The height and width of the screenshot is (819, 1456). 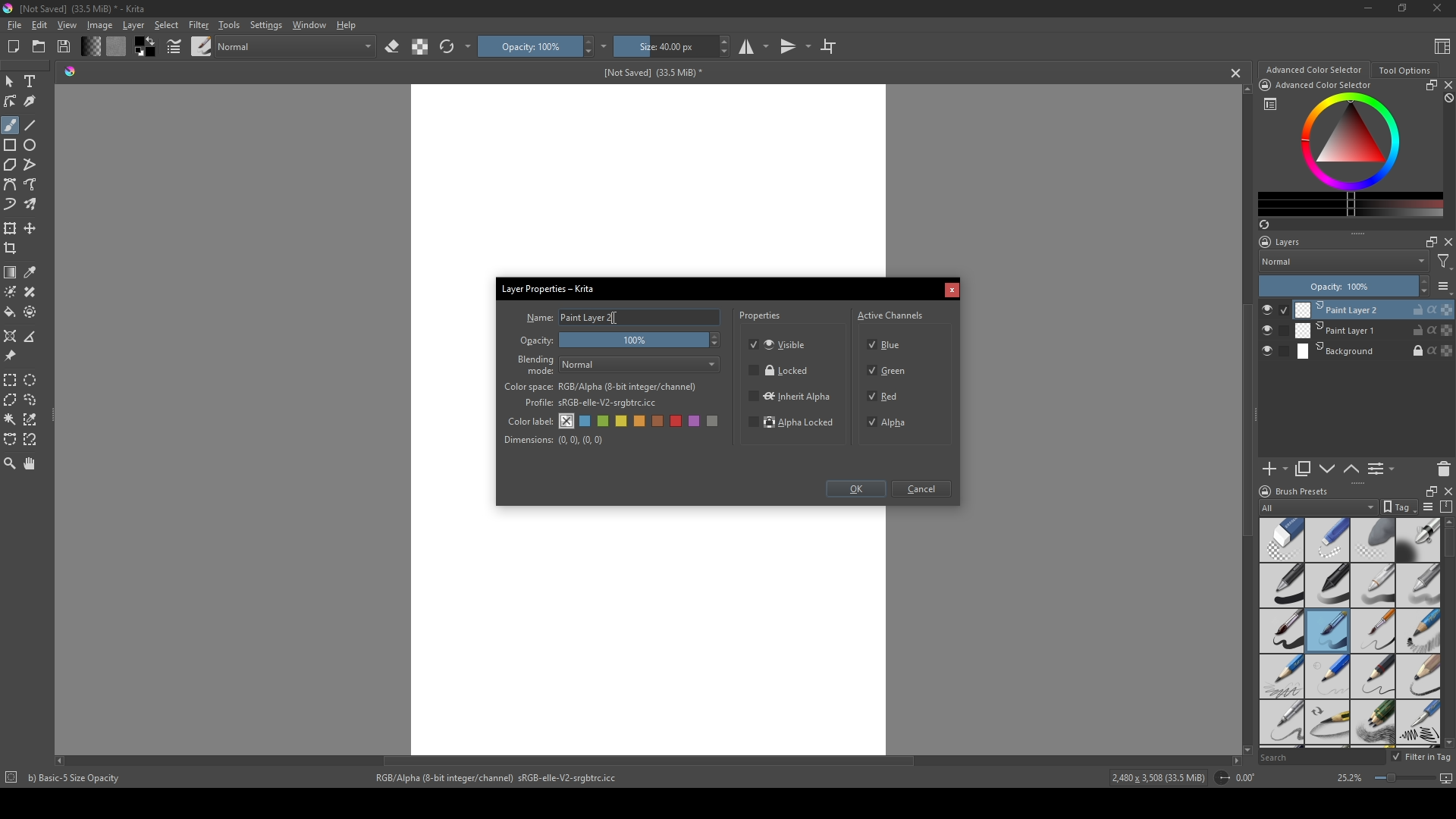 I want to click on calligraphy pen, so click(x=1418, y=724).